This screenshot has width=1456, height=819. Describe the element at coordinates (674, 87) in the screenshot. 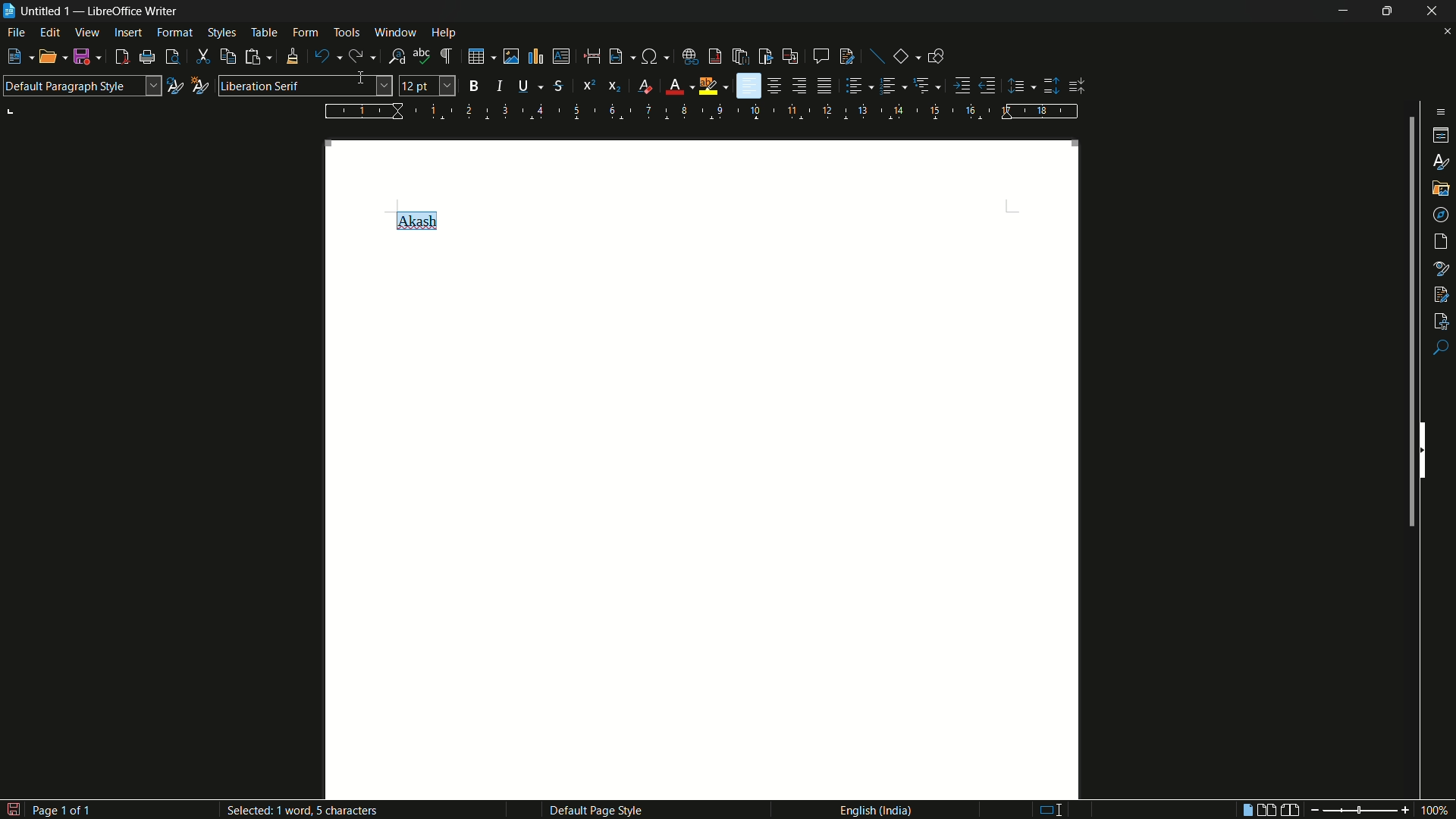

I see `font color` at that location.